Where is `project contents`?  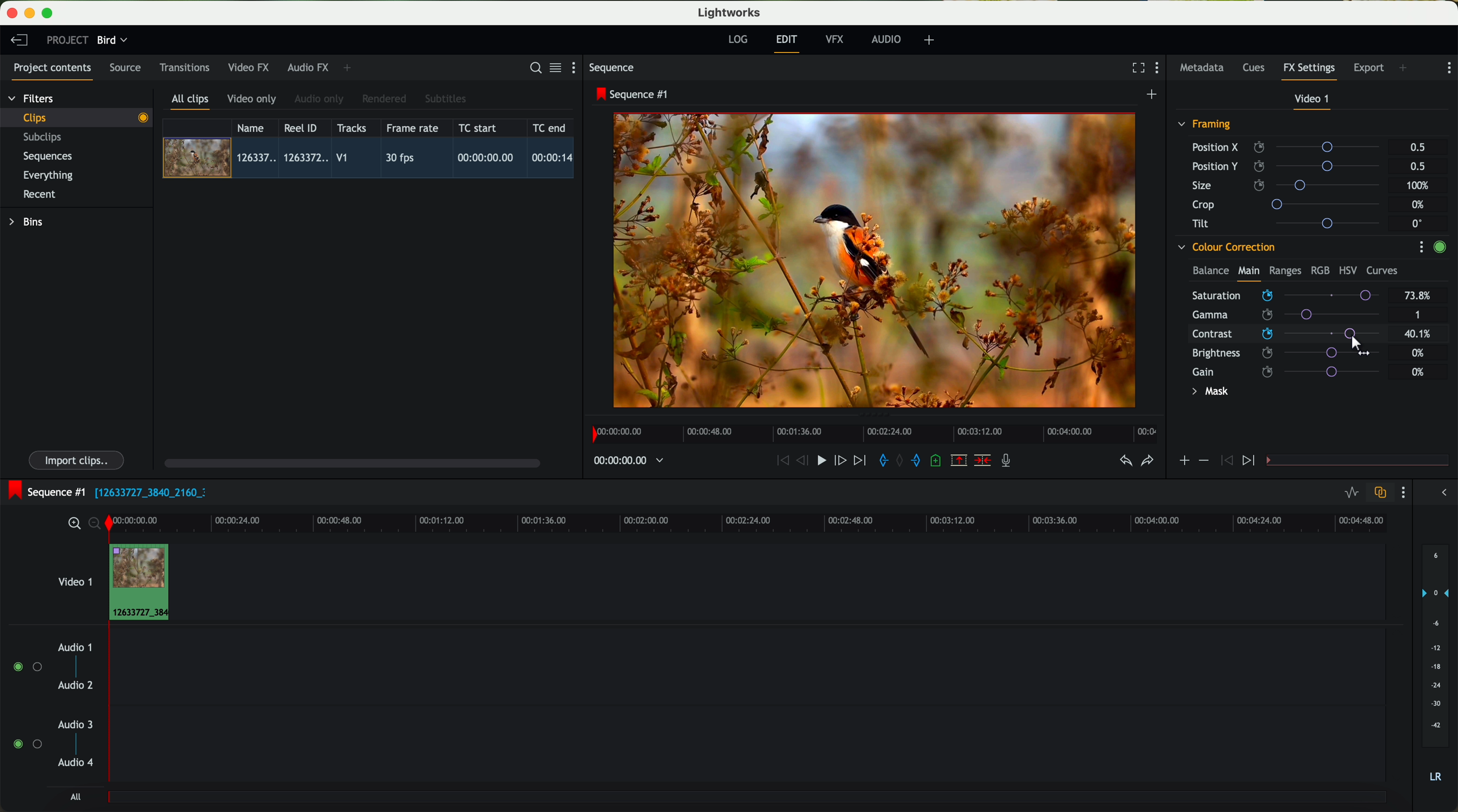
project contents is located at coordinates (53, 71).